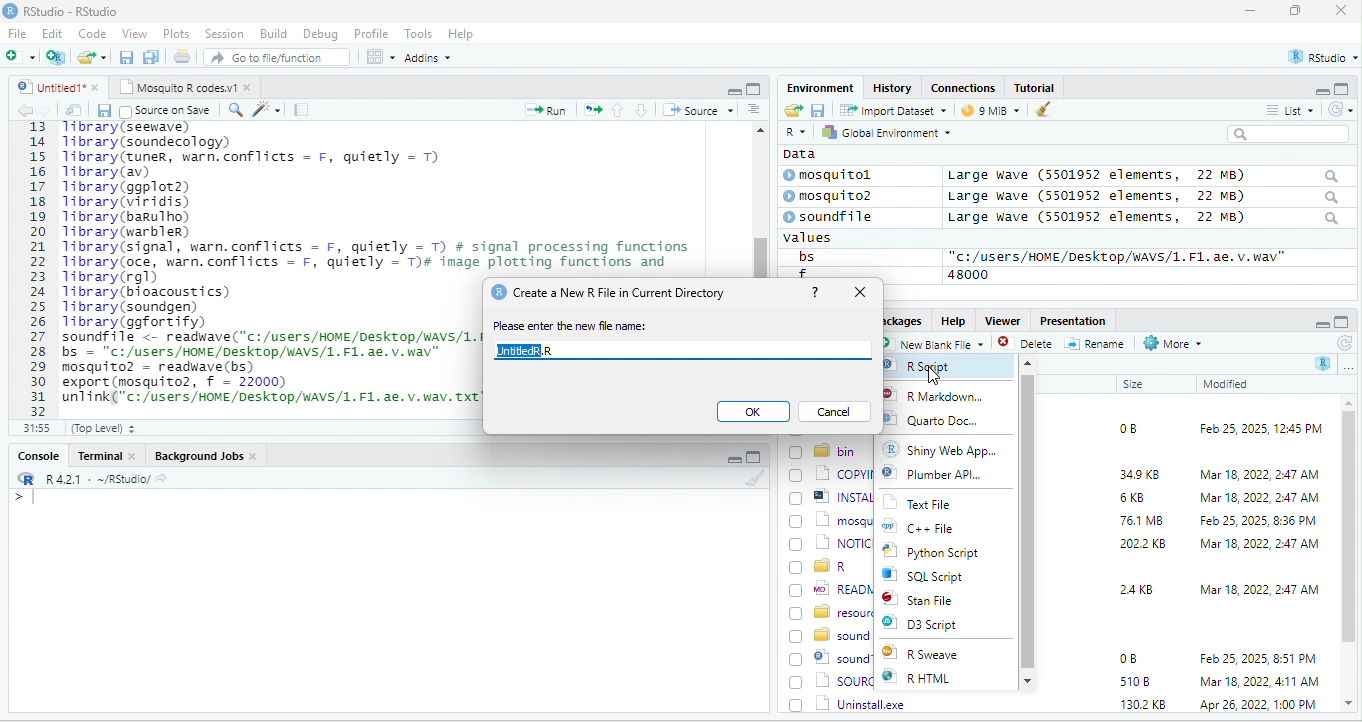 The width and height of the screenshot is (1362, 722). I want to click on data, so click(797, 153).